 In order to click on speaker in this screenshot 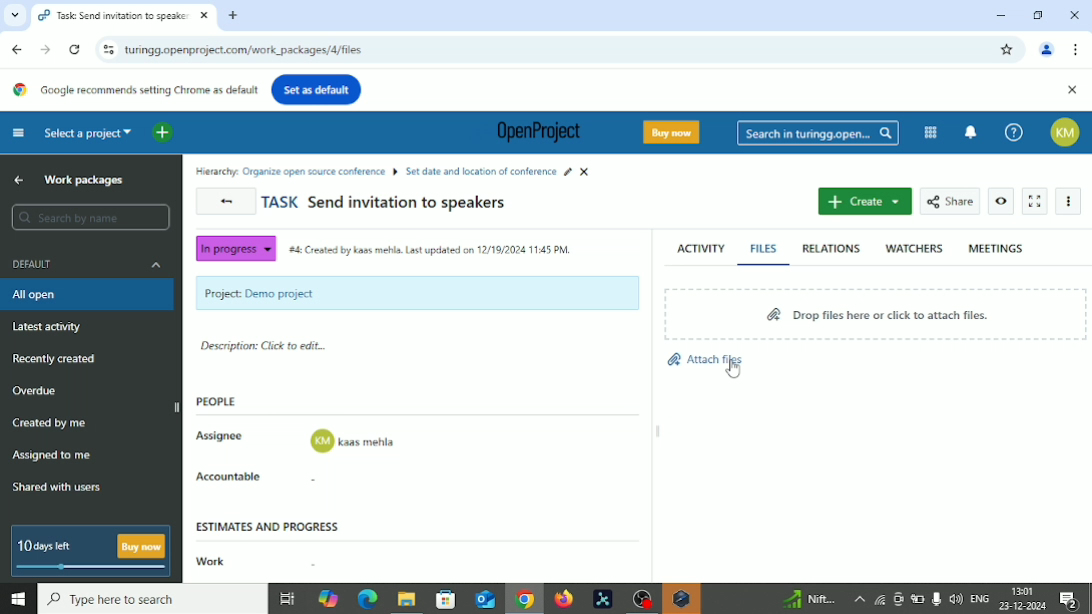, I will do `click(956, 598)`.